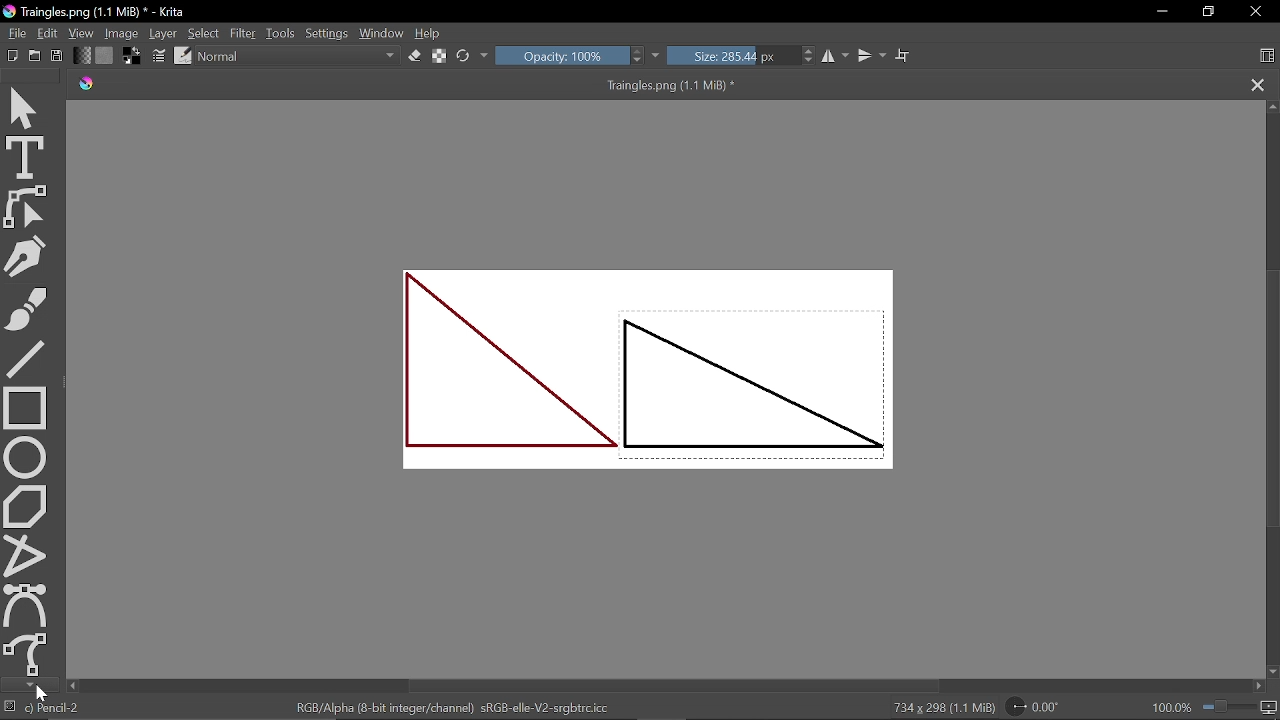 The height and width of the screenshot is (720, 1280). What do you see at coordinates (871, 56) in the screenshot?
I see `Vertical mirror` at bounding box center [871, 56].